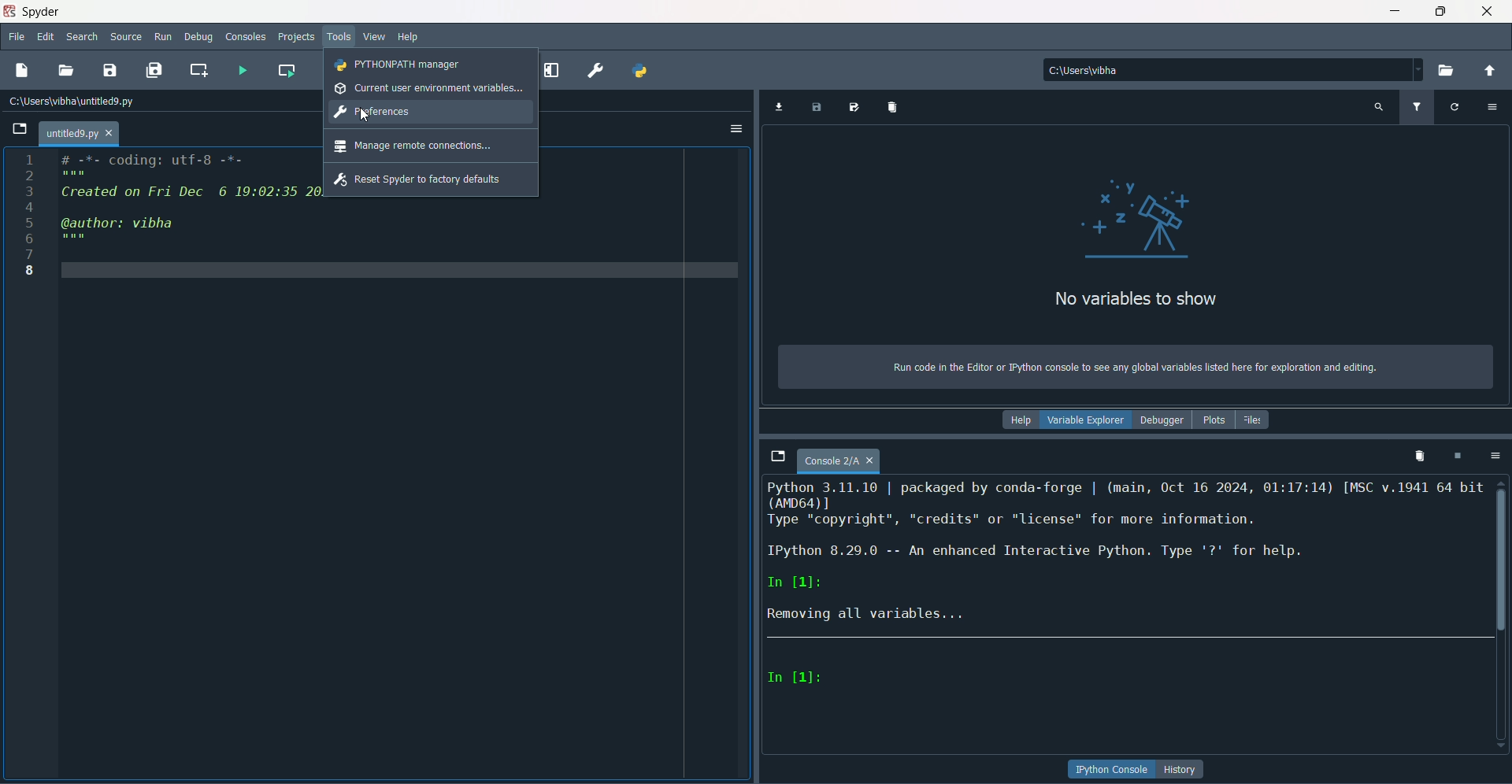  I want to click on minimize/maximize, so click(1440, 11).